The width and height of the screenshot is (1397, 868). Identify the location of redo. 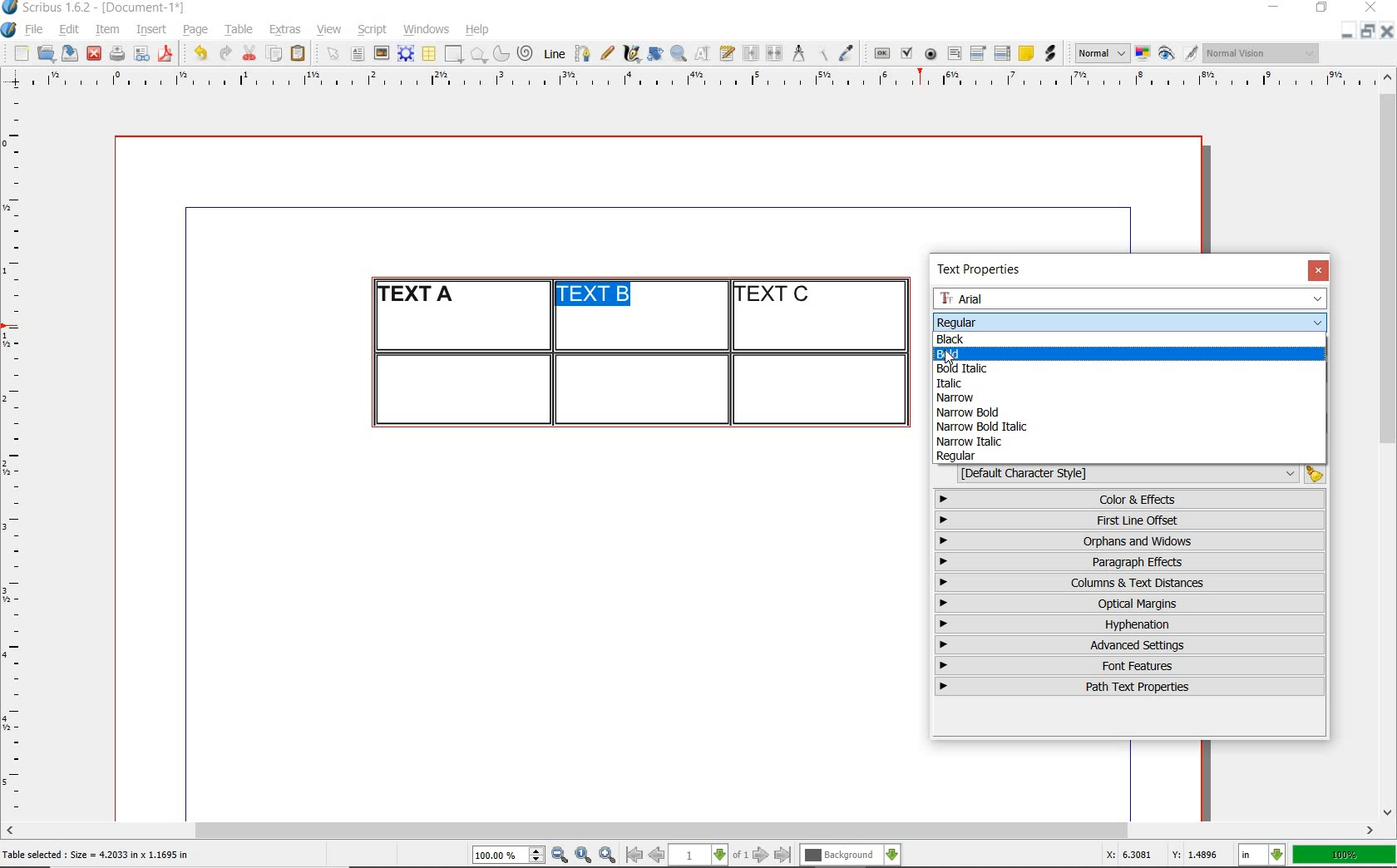
(224, 52).